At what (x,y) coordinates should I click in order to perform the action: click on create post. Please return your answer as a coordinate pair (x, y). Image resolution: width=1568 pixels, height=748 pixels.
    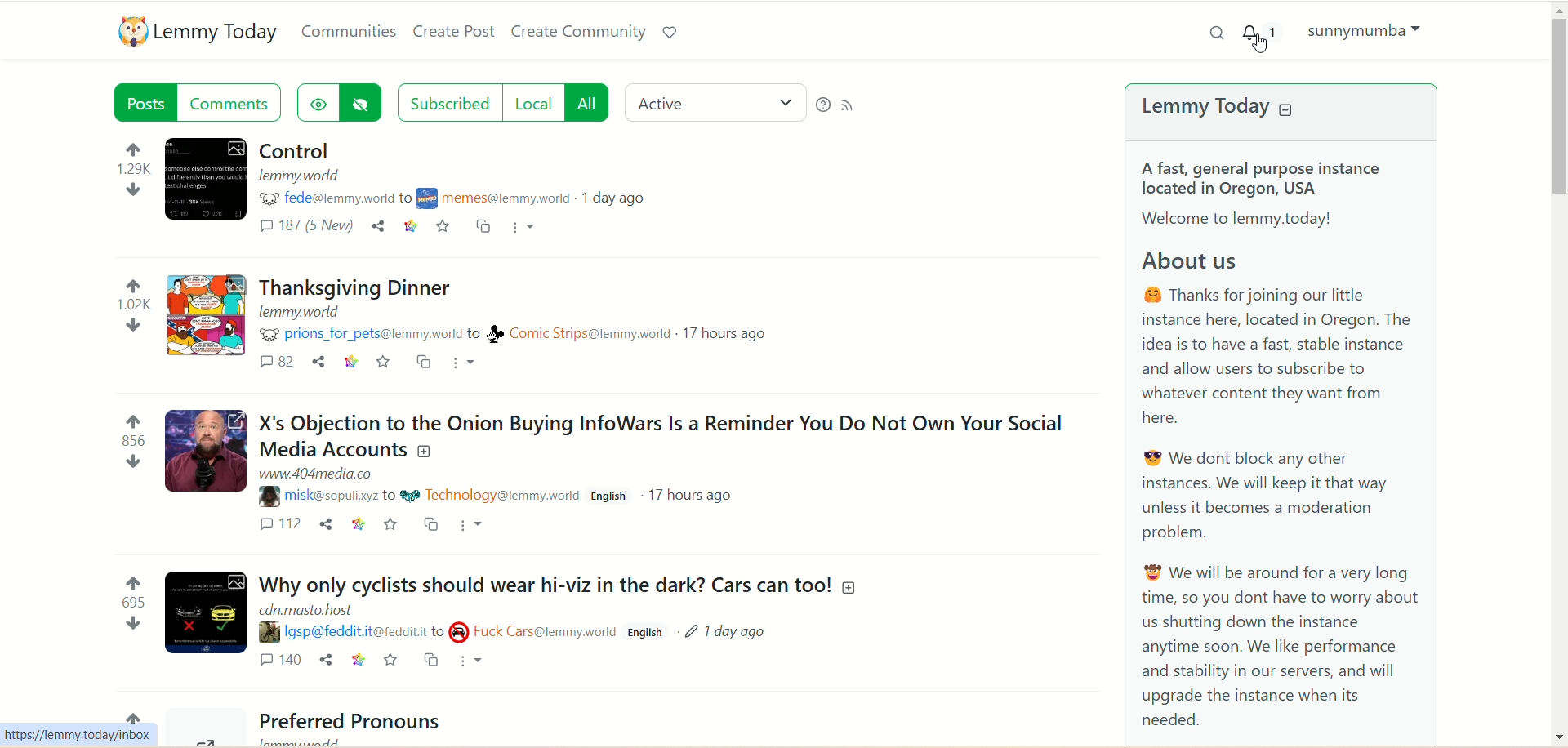
    Looking at the image, I should click on (453, 32).